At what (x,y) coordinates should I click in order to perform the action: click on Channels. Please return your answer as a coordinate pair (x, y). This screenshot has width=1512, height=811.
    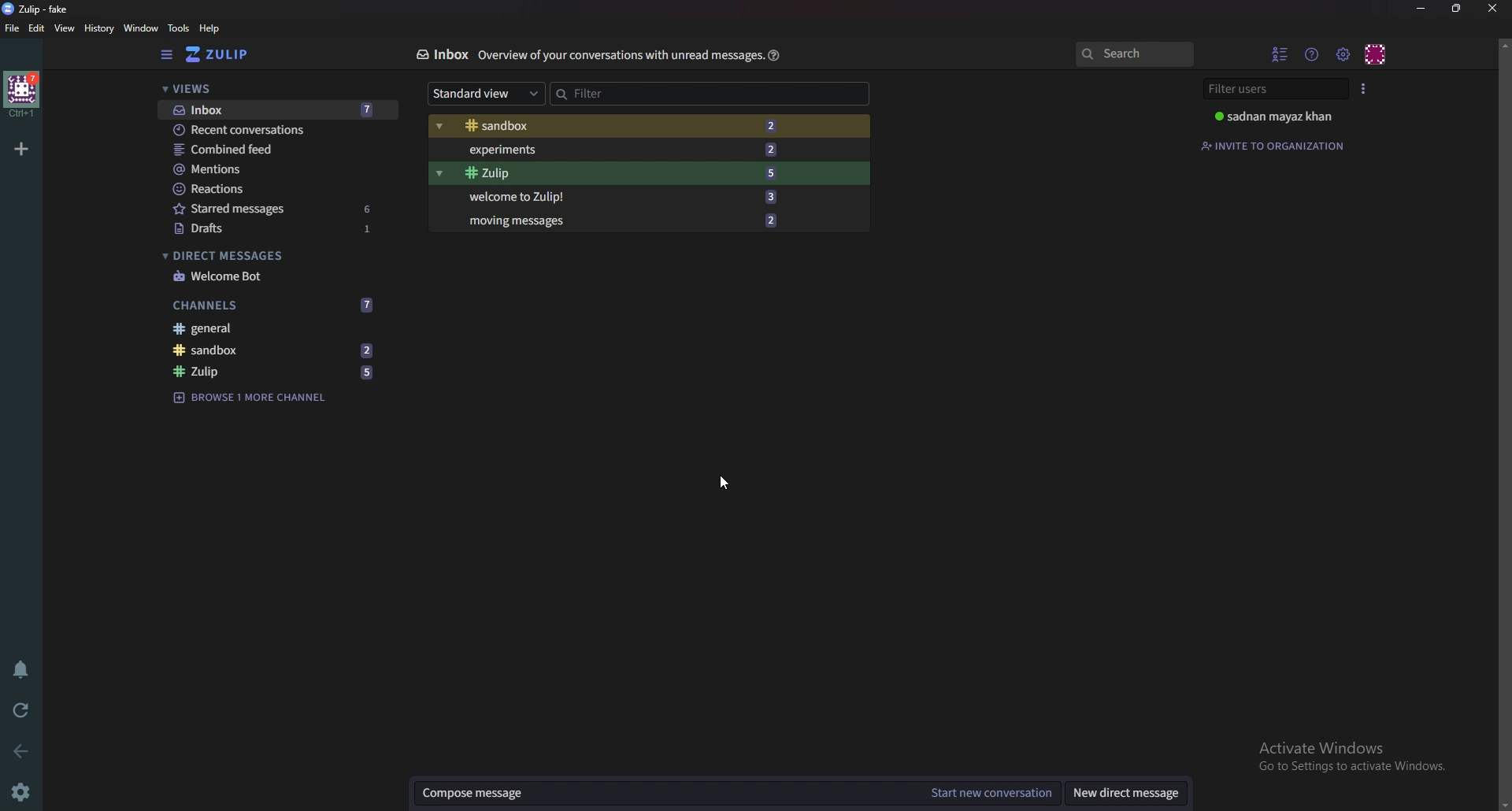
    Looking at the image, I should click on (276, 305).